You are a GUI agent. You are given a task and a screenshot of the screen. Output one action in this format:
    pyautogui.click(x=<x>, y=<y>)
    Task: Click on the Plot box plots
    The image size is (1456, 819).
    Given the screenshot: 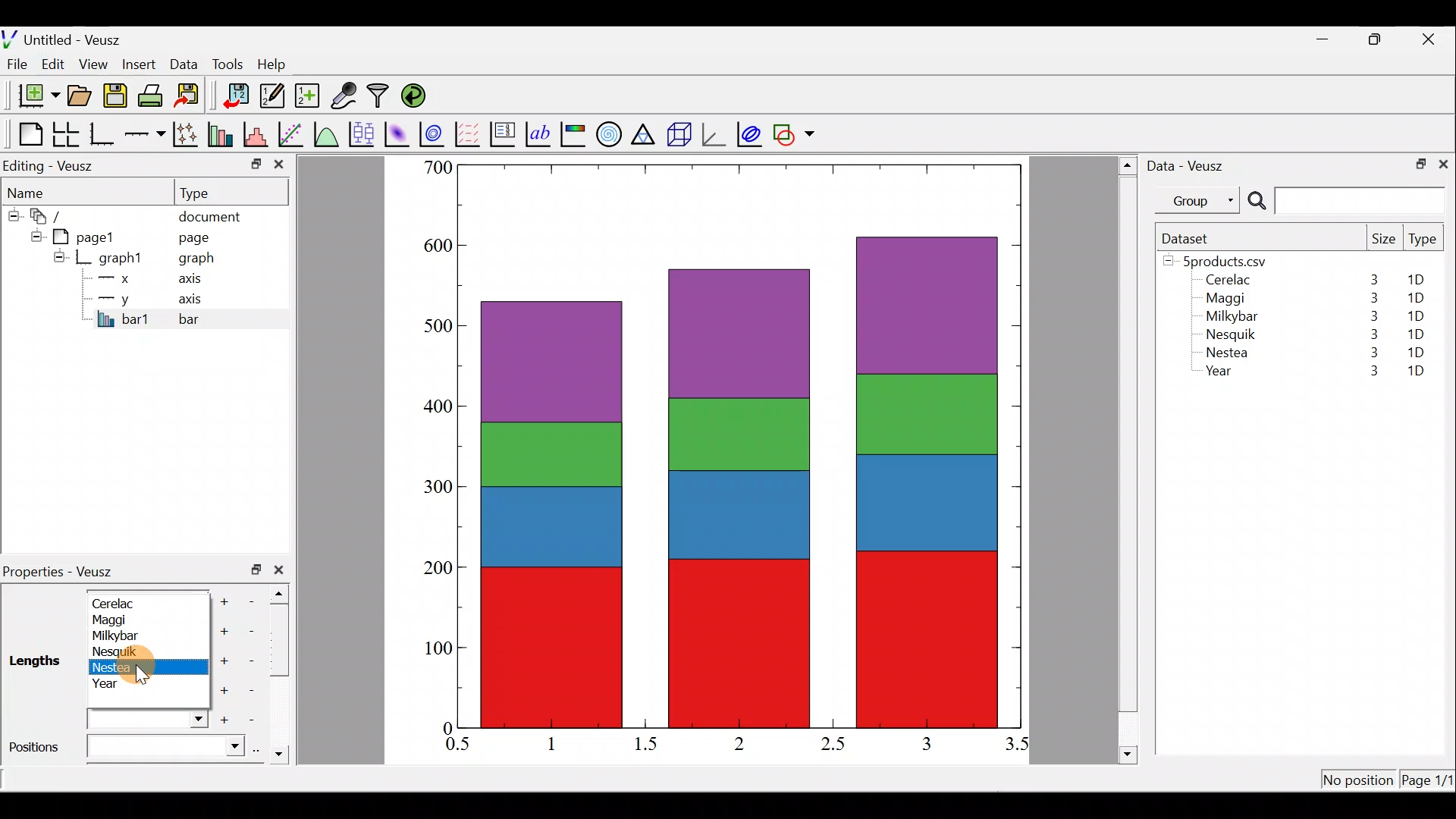 What is the action you would take?
    pyautogui.click(x=363, y=133)
    